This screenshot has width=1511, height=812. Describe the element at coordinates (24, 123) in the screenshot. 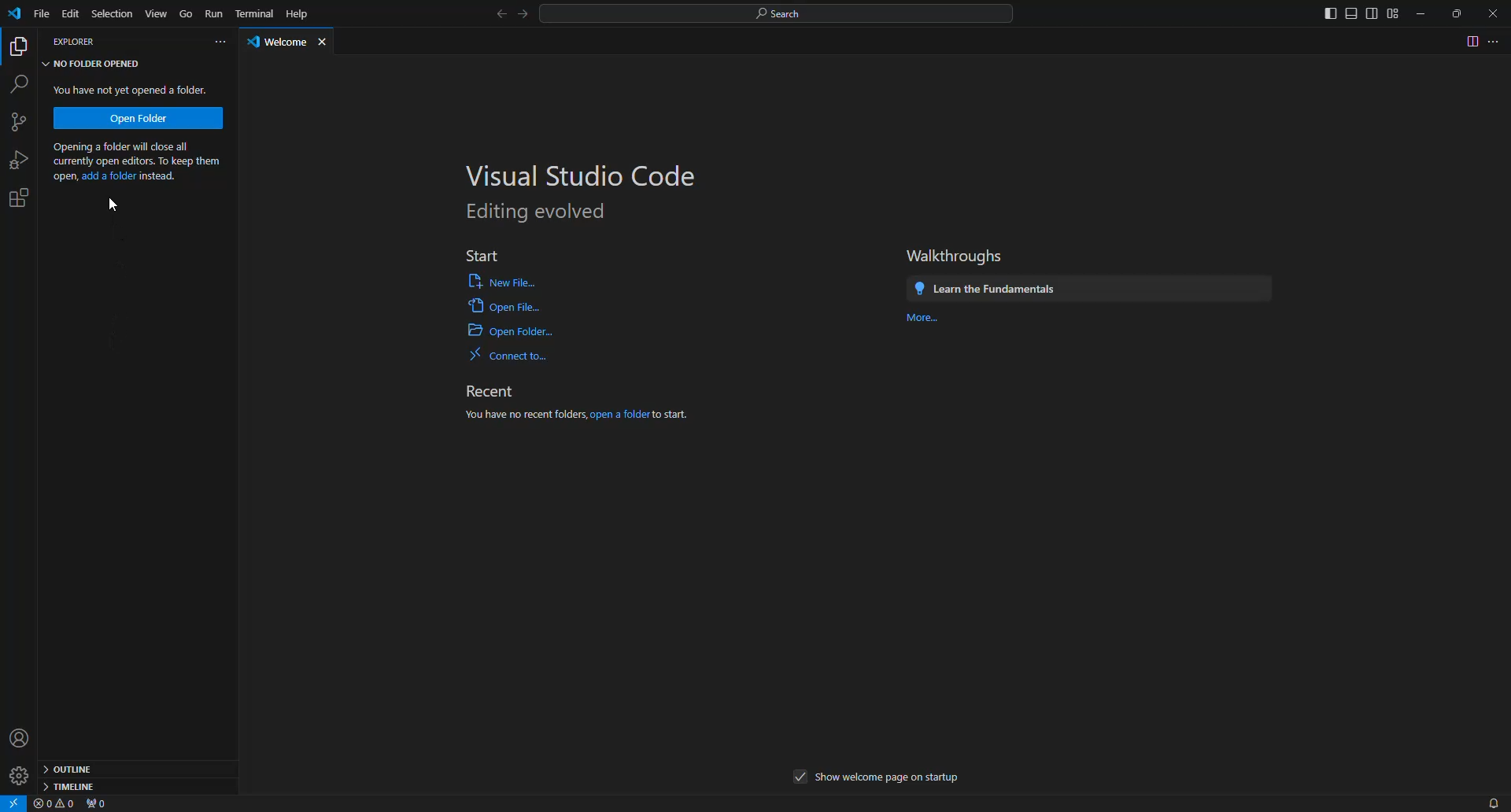

I see `source control` at that location.